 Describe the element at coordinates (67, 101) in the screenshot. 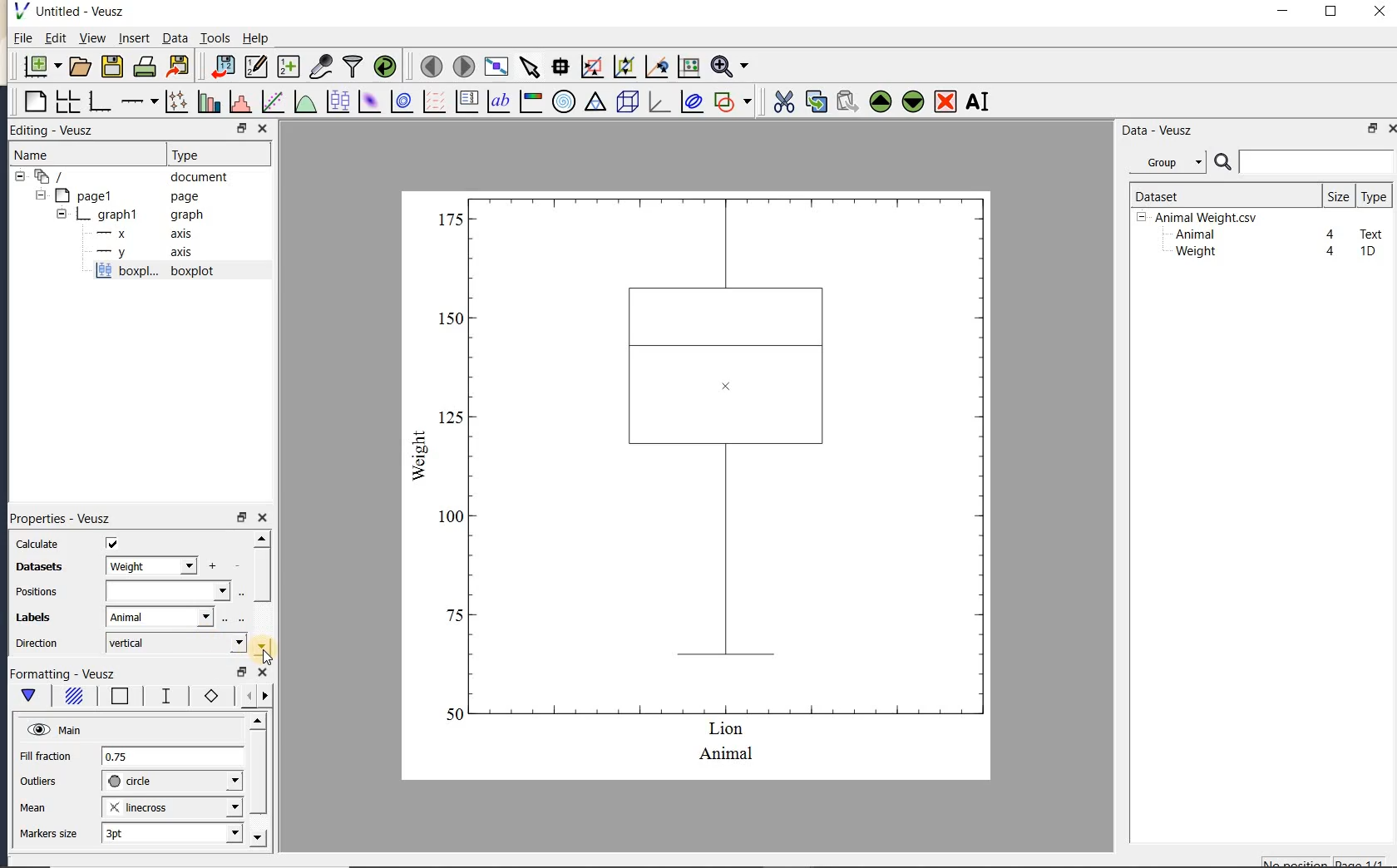

I see `arrange graphs in a grid` at that location.